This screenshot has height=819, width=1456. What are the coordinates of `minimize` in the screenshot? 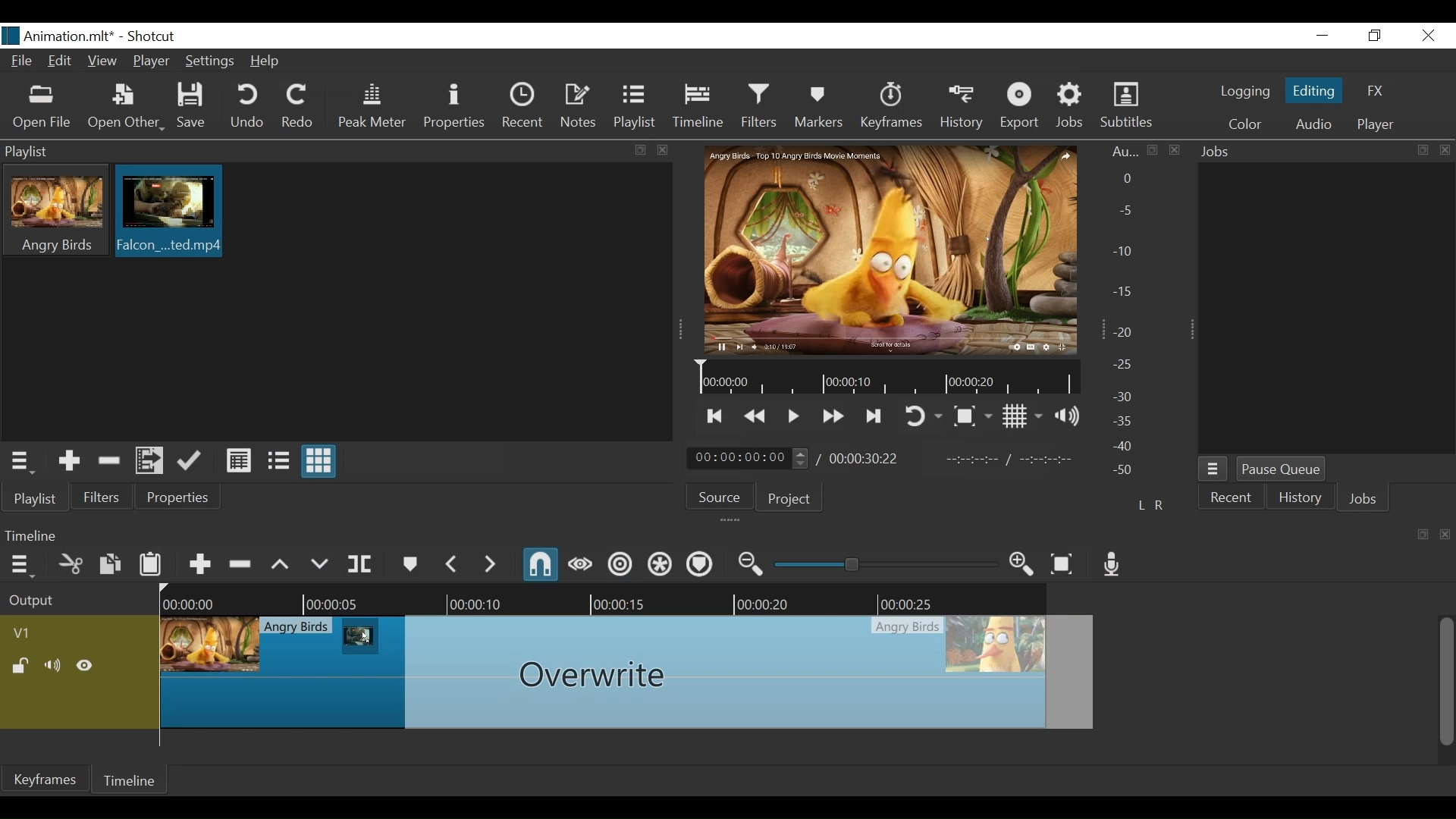 It's located at (1325, 36).